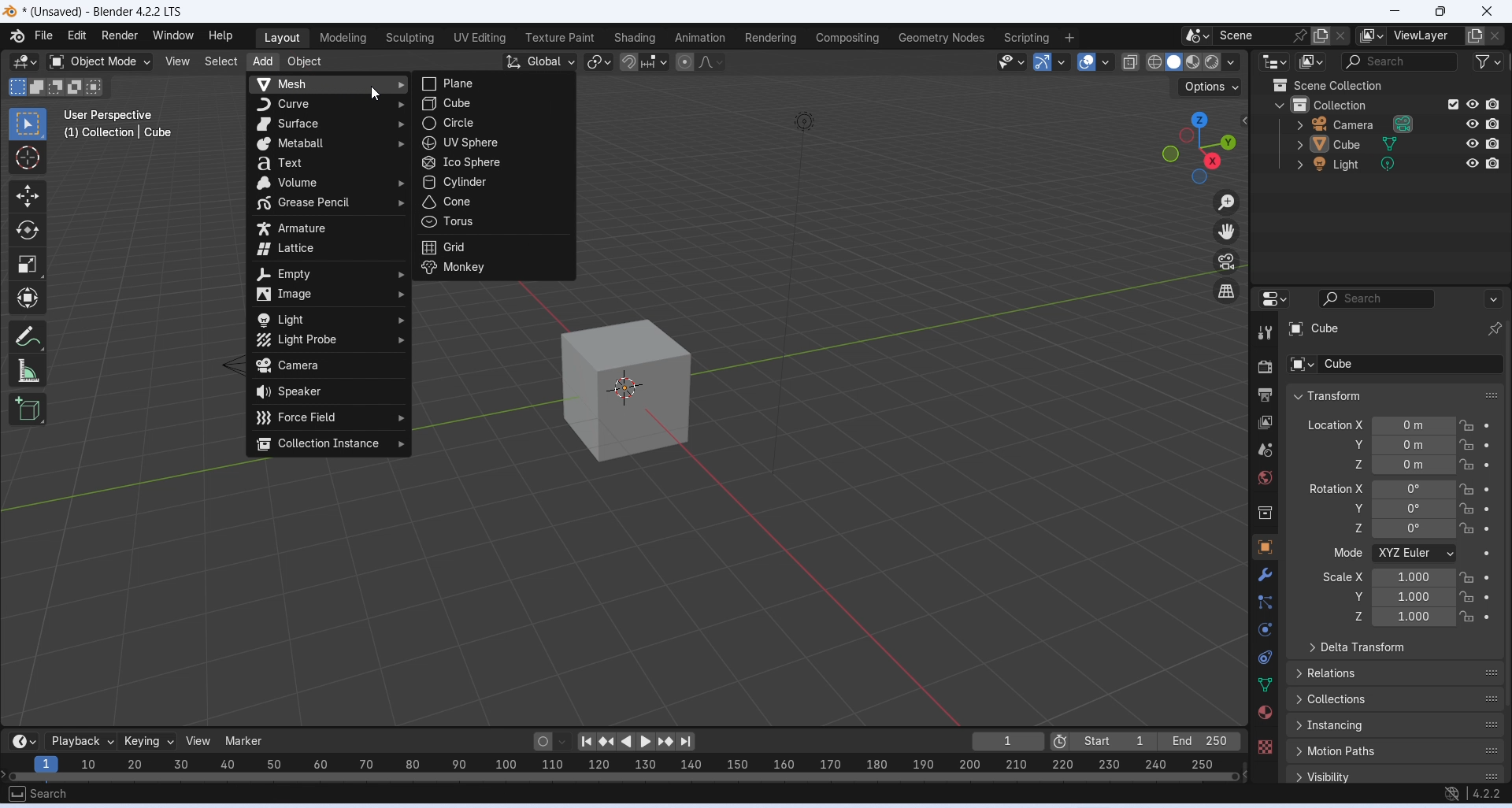  What do you see at coordinates (1414, 465) in the screenshot?
I see `location` at bounding box center [1414, 465].